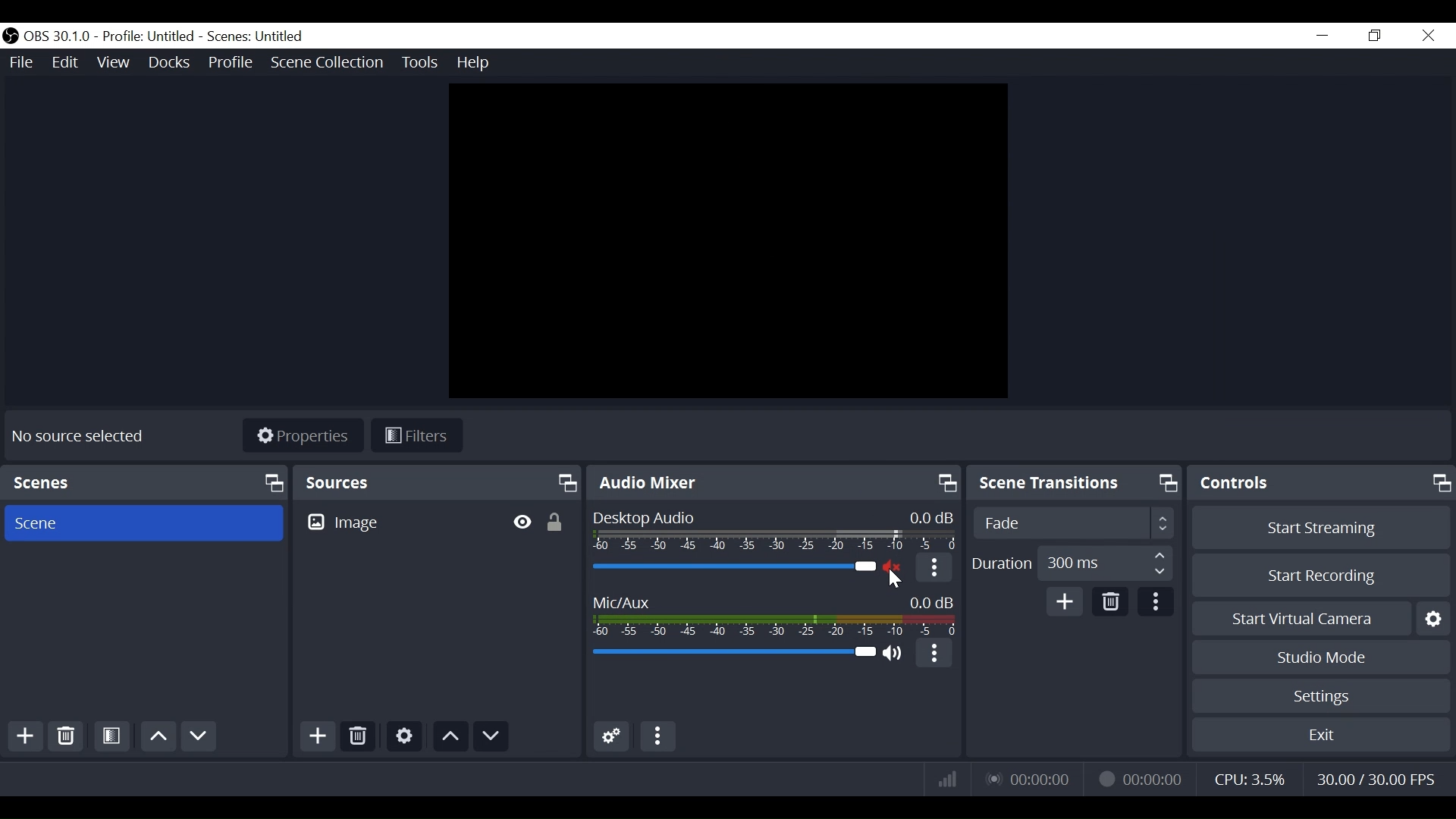 The height and width of the screenshot is (819, 1456). I want to click on (un)mute, so click(894, 654).